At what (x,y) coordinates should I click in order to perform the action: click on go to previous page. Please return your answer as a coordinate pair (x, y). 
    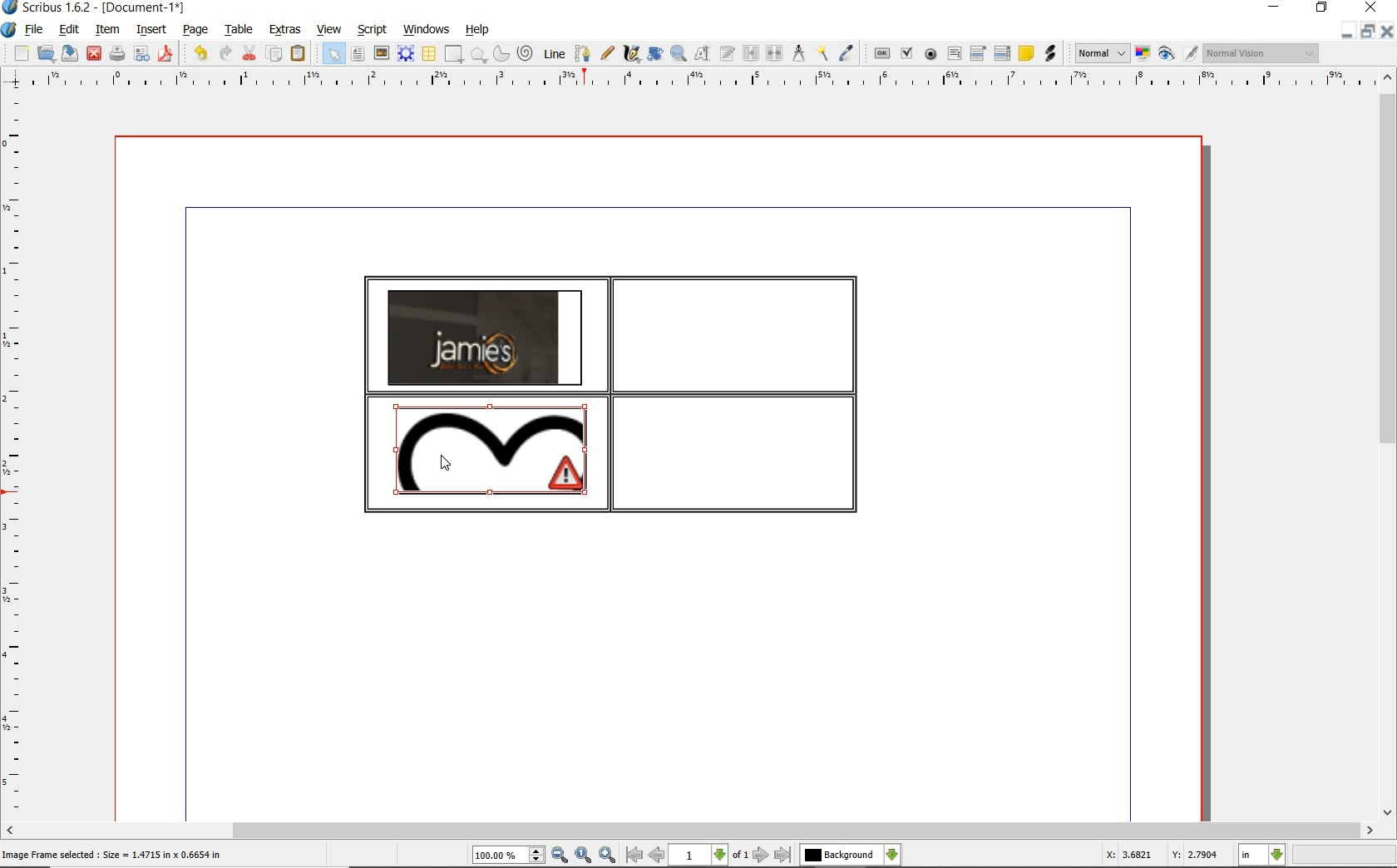
    Looking at the image, I should click on (656, 856).